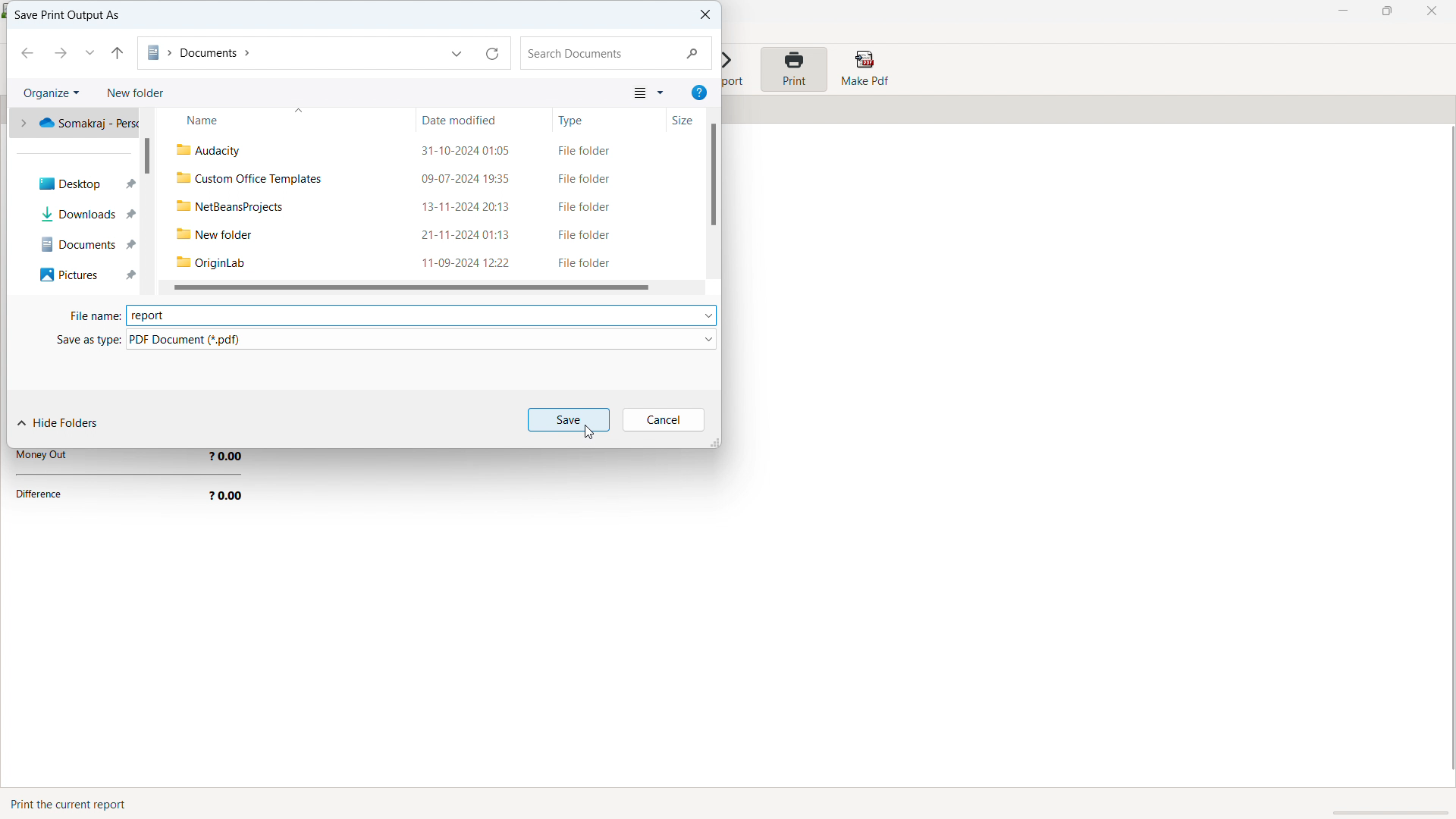  Describe the element at coordinates (90, 52) in the screenshot. I see `recent locations` at that location.